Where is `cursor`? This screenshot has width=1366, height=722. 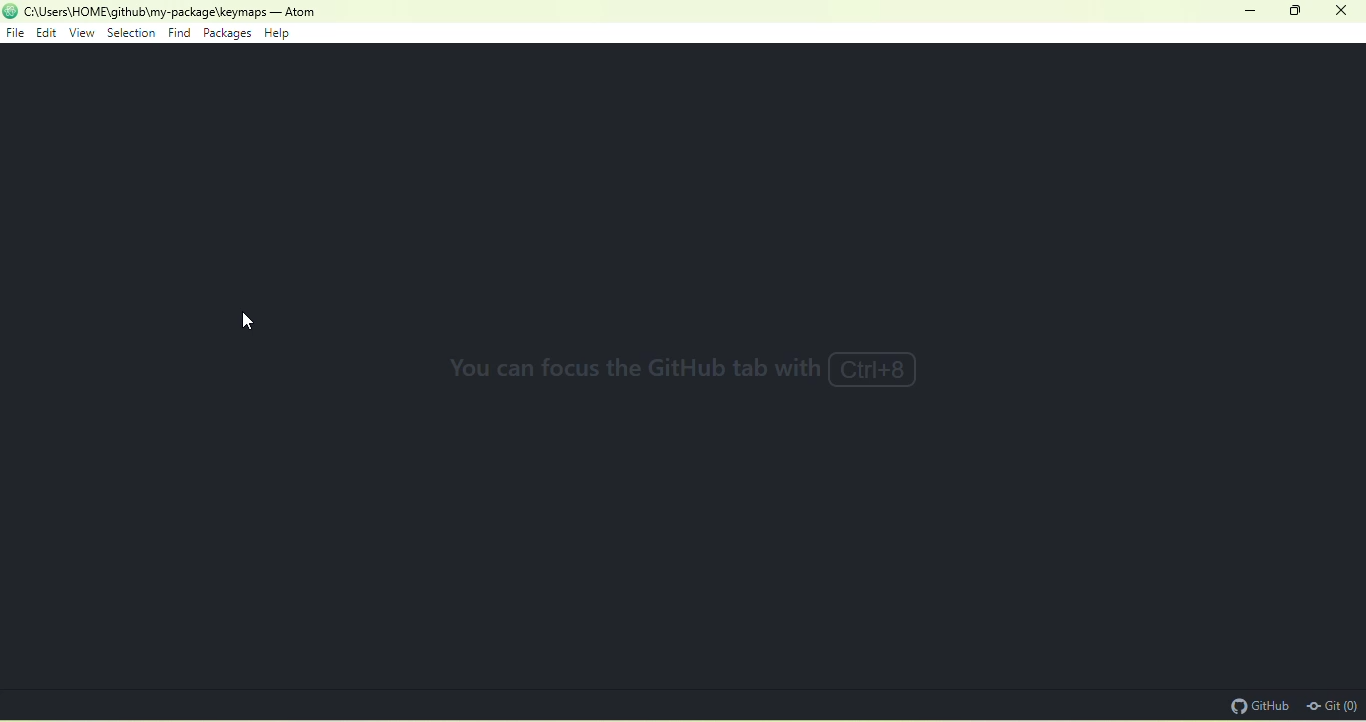
cursor is located at coordinates (250, 319).